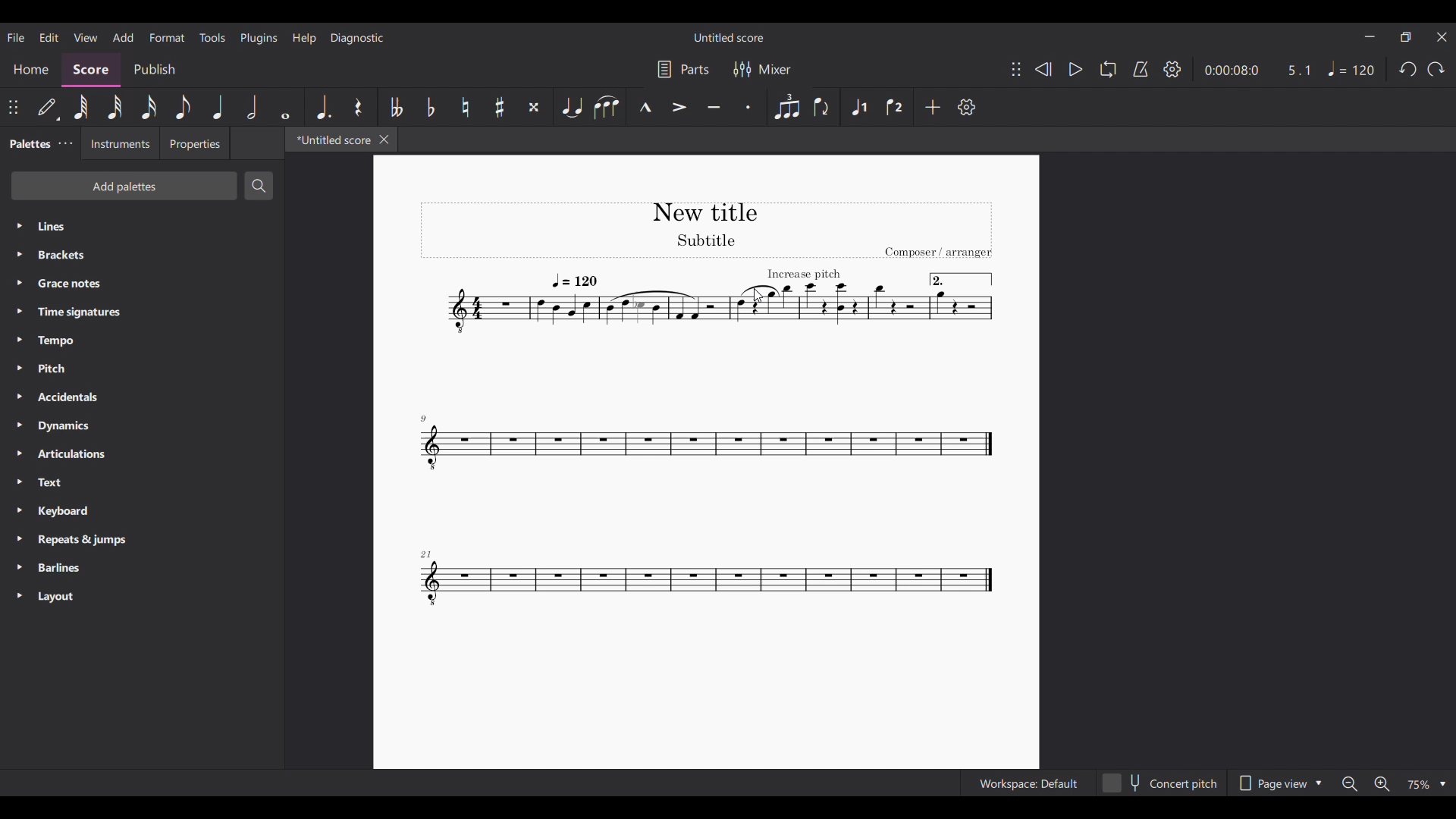 The height and width of the screenshot is (819, 1456). I want to click on Metronome, so click(1141, 69).